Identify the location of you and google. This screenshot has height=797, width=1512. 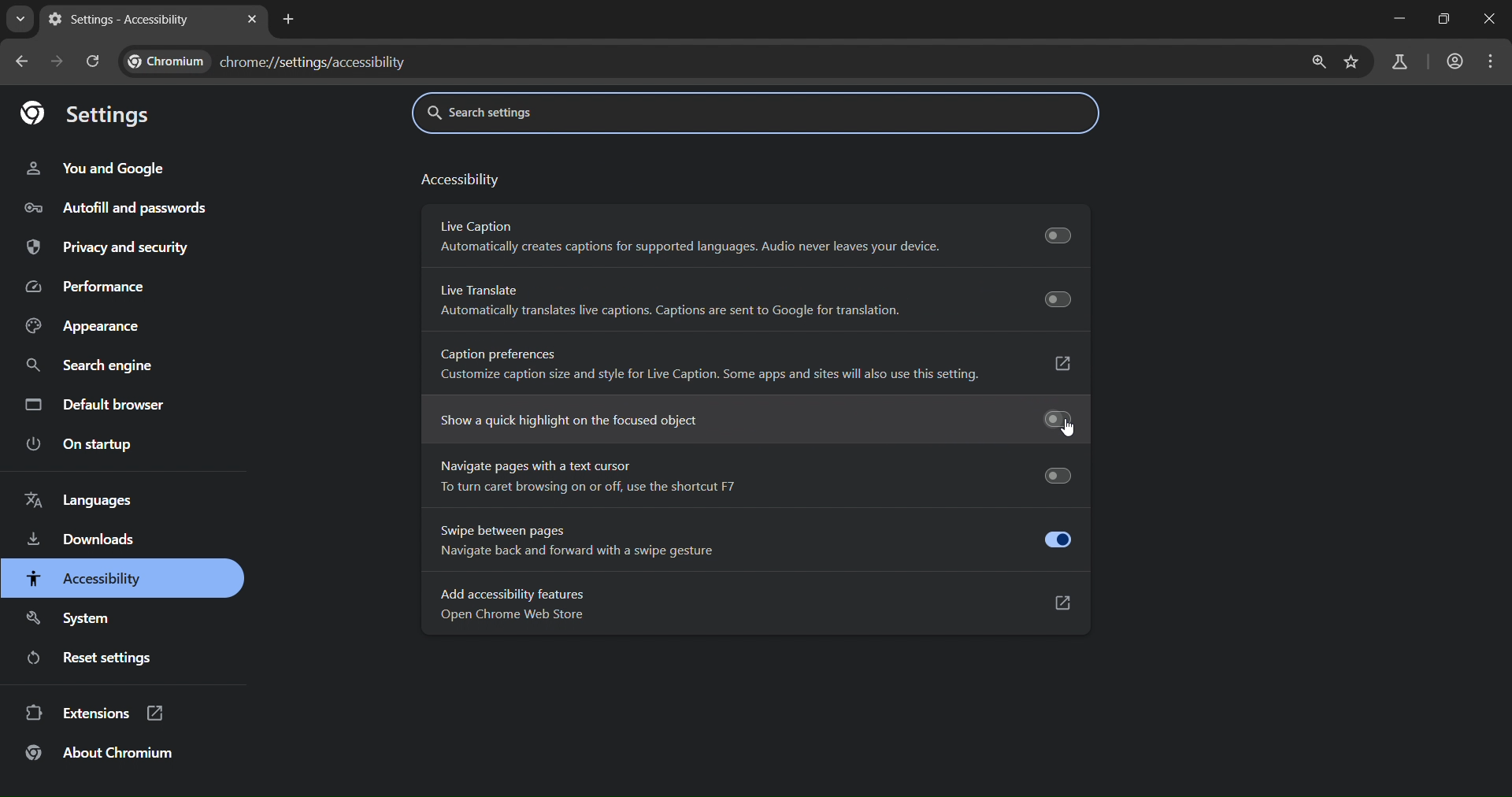
(98, 169).